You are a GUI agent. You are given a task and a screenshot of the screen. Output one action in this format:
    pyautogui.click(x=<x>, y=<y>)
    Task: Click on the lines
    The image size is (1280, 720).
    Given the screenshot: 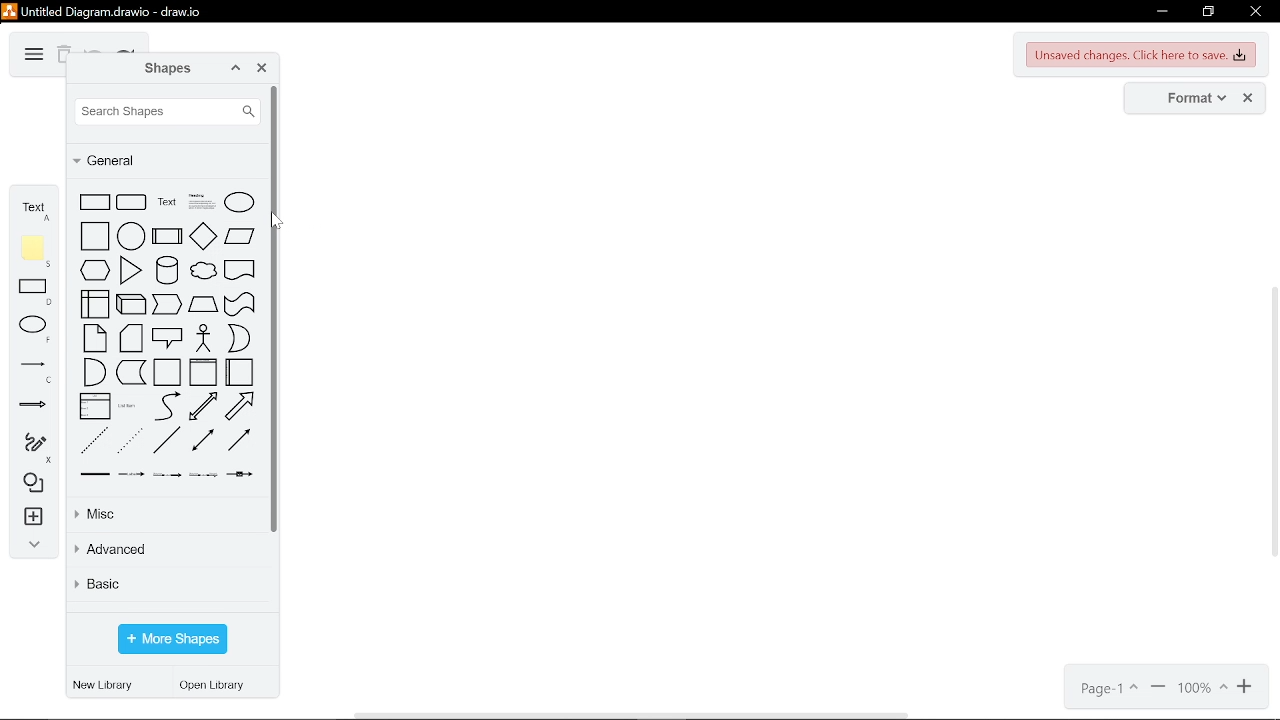 What is the action you would take?
    pyautogui.click(x=33, y=371)
    